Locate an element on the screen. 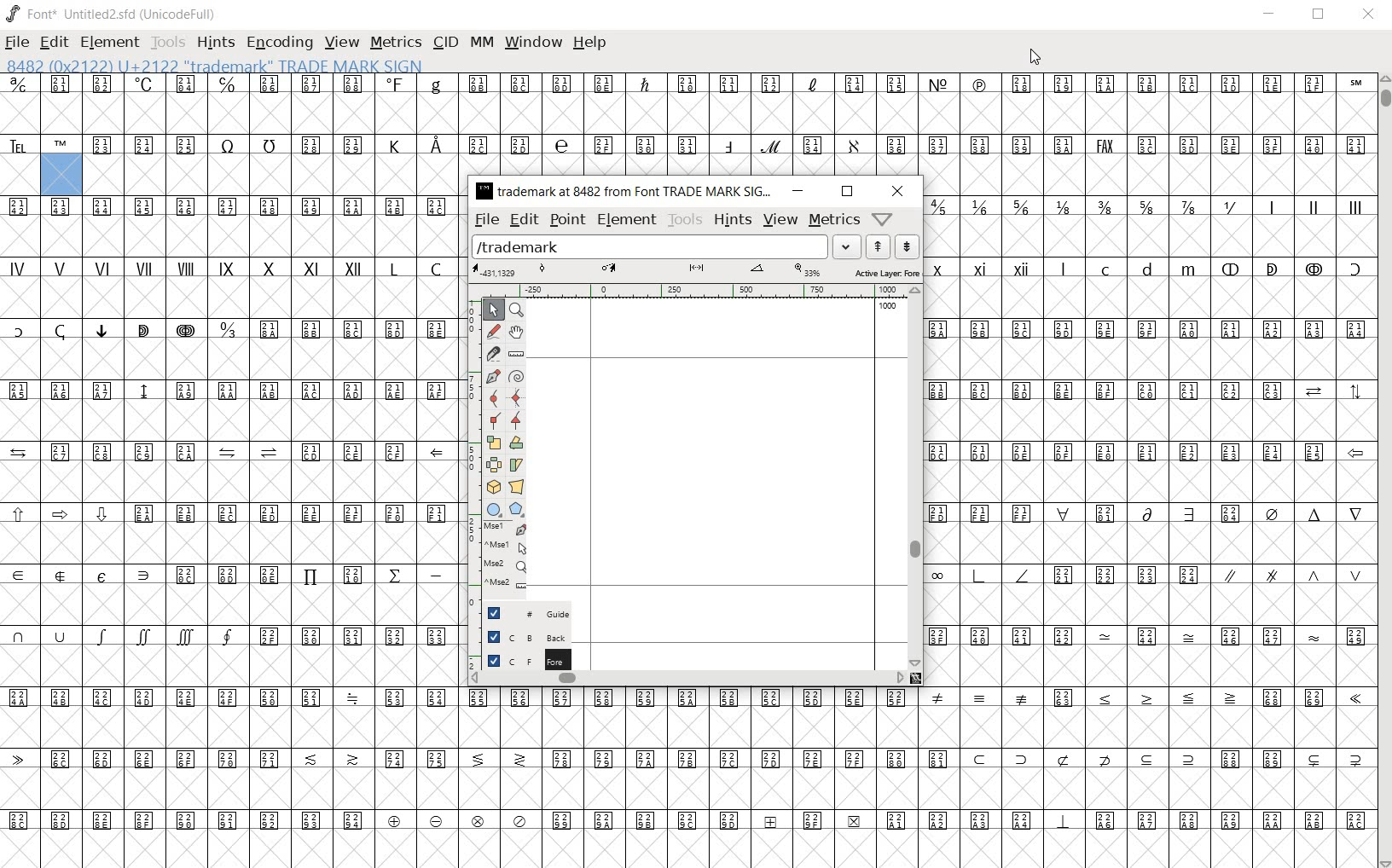  symbols is located at coordinates (356, 349).